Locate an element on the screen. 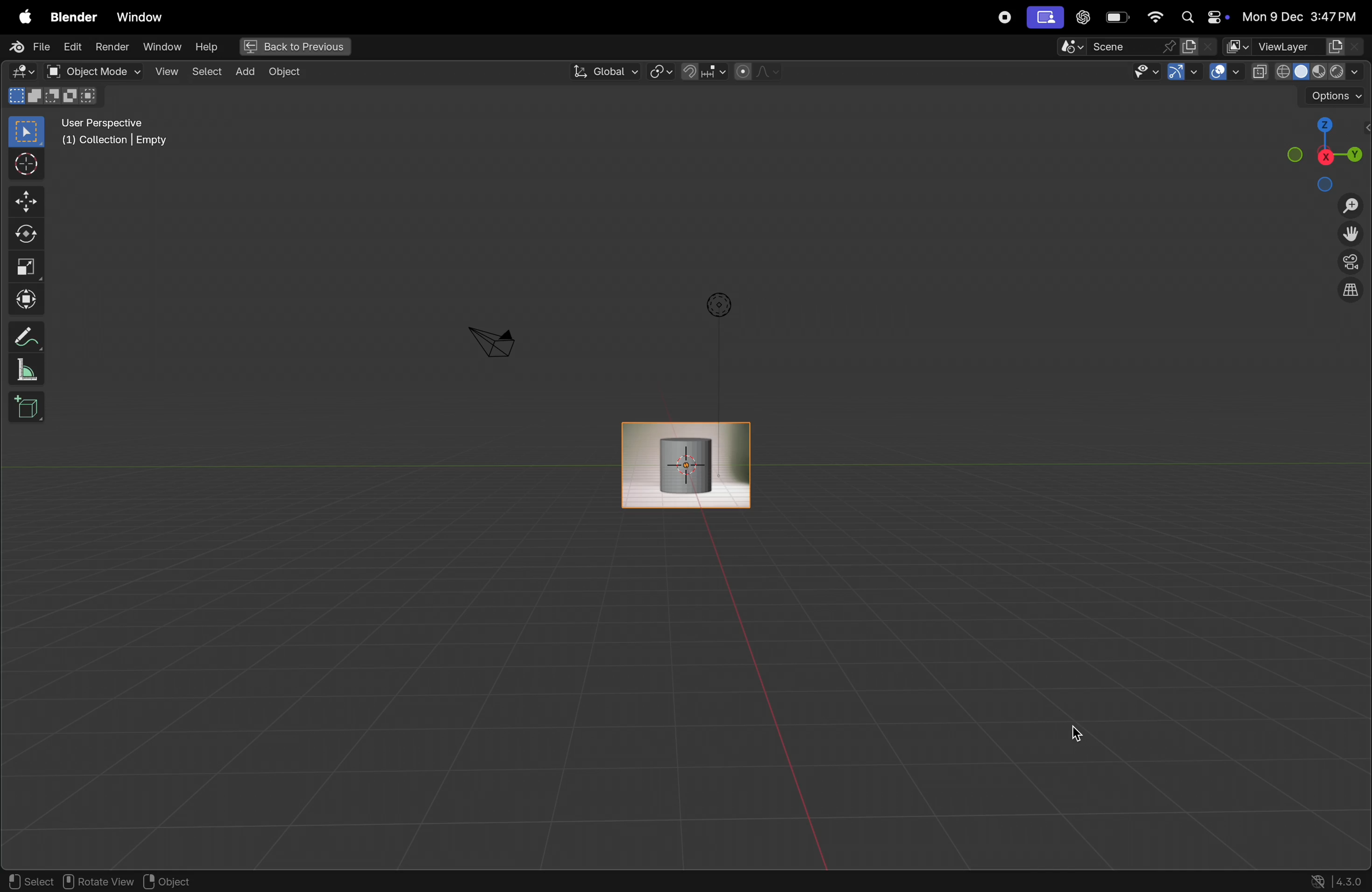  active workspace is located at coordinates (1200, 46).